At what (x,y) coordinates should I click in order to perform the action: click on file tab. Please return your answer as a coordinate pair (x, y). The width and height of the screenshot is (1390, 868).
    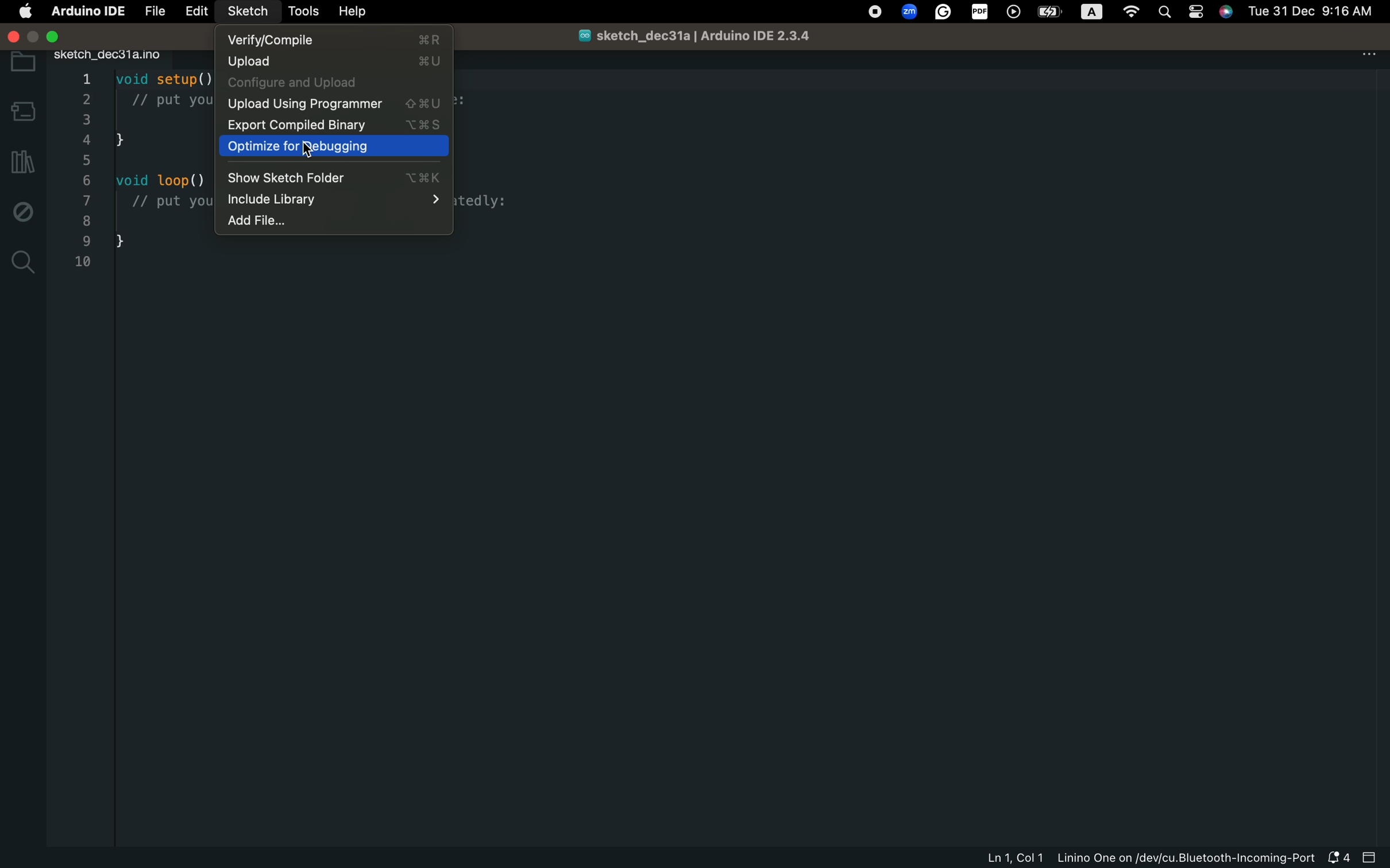
    Looking at the image, I should click on (132, 57).